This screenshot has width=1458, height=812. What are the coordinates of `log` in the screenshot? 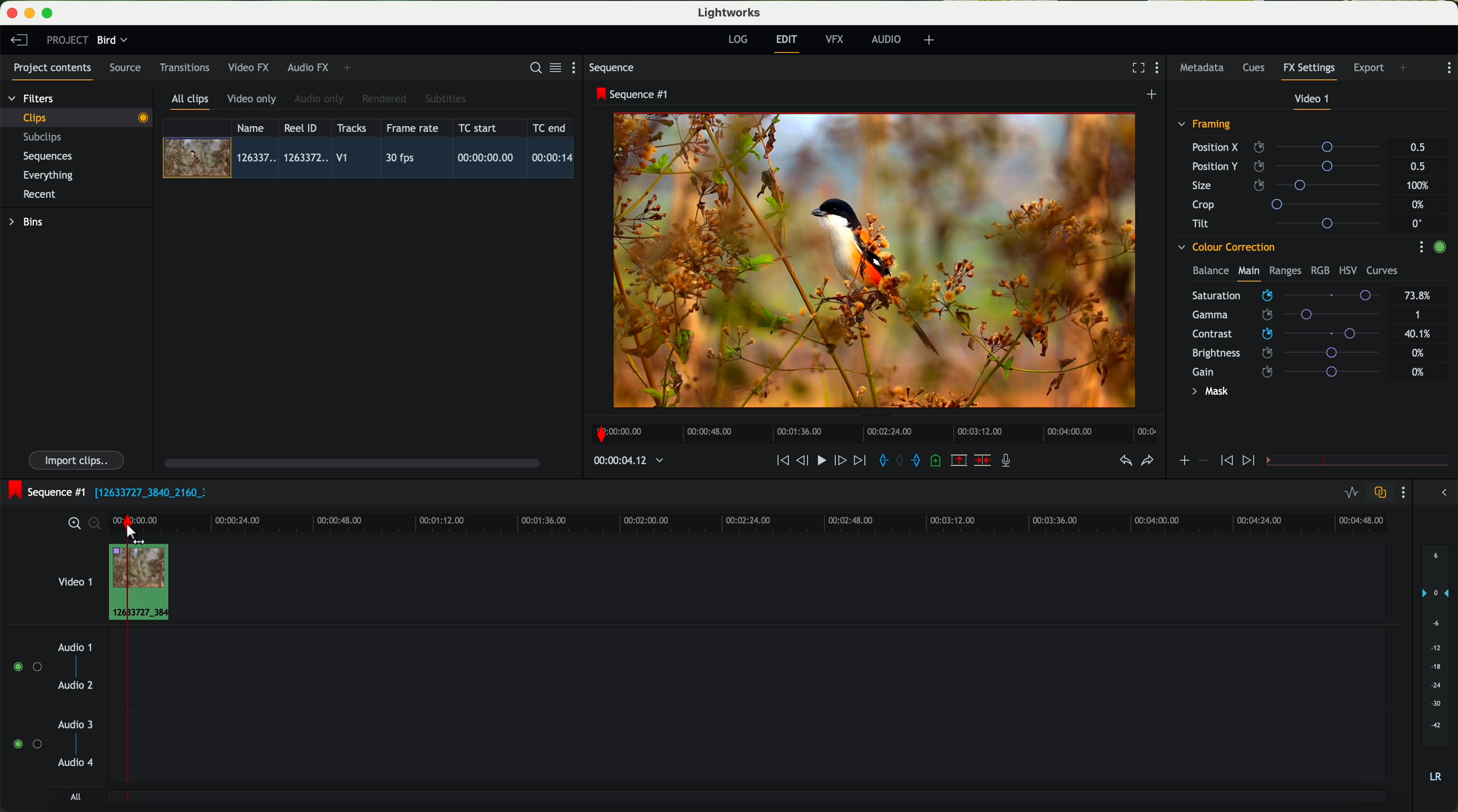 It's located at (737, 40).